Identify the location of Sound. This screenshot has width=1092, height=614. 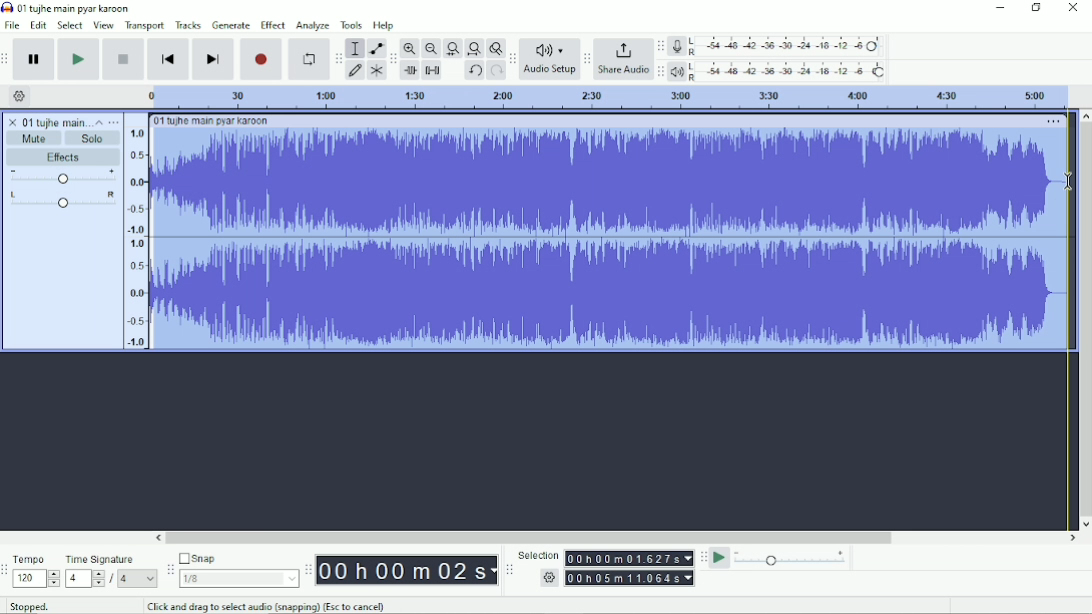
(135, 232).